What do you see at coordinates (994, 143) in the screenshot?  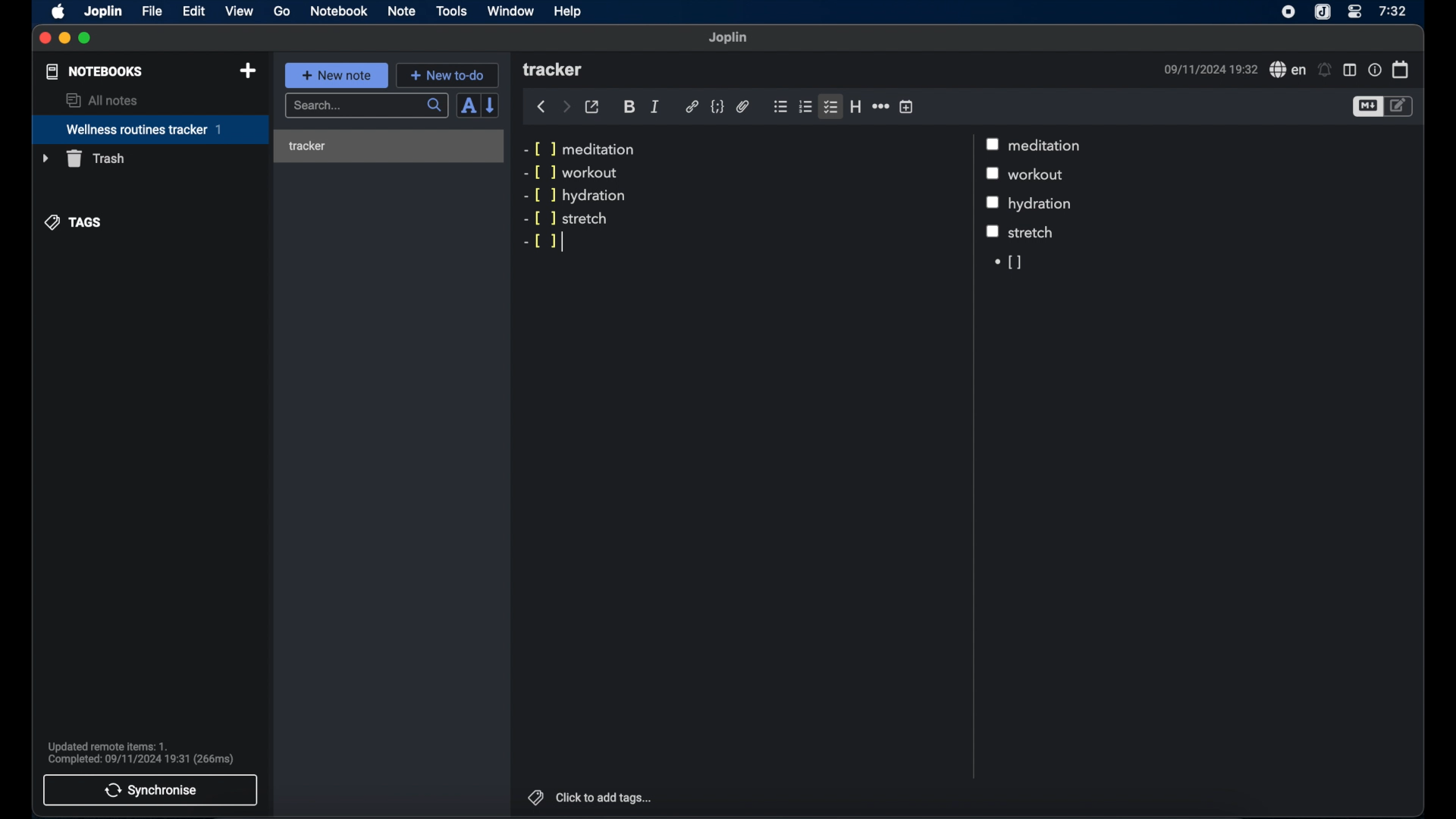 I see `checkbox` at bounding box center [994, 143].